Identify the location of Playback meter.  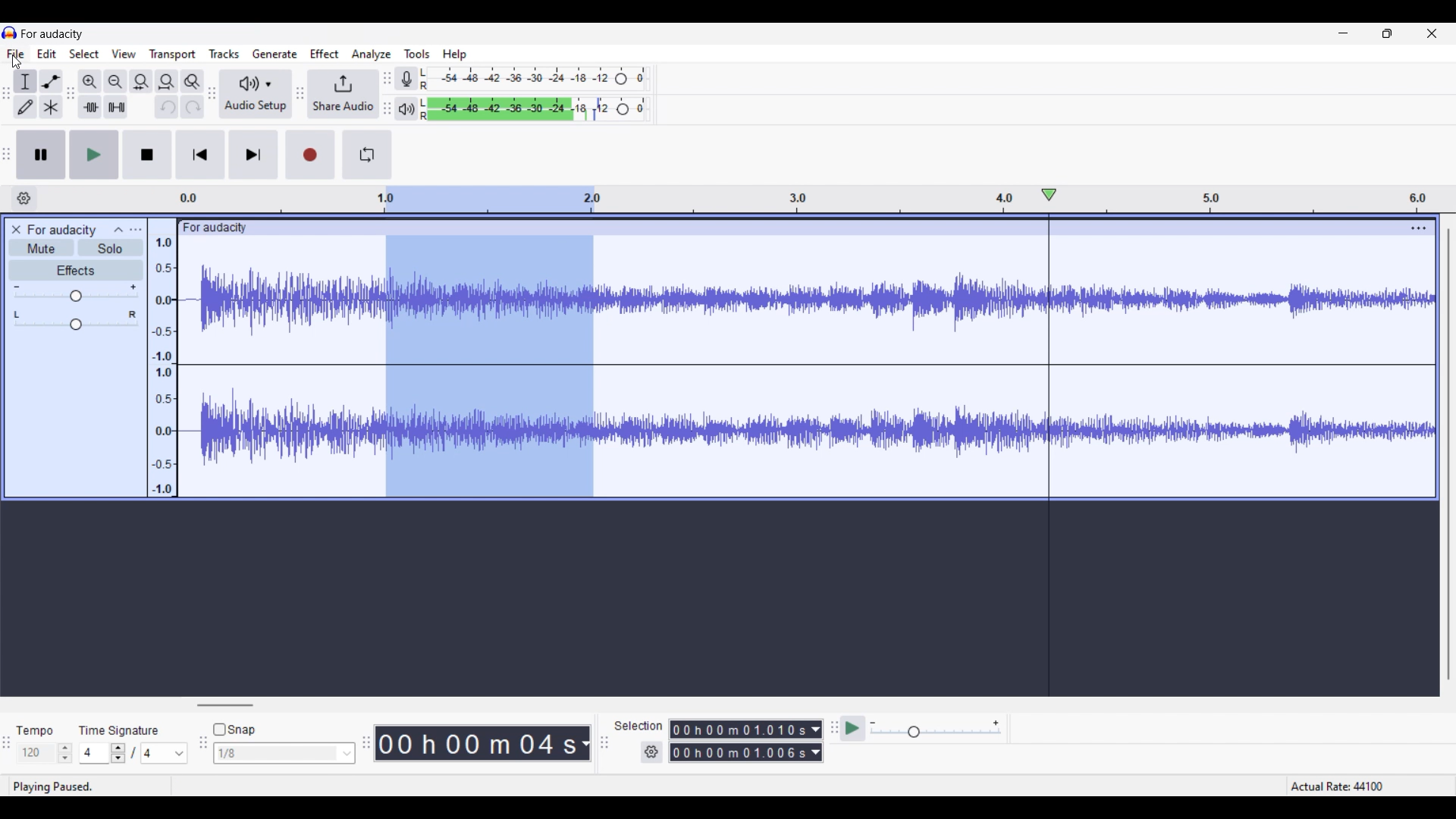
(405, 108).